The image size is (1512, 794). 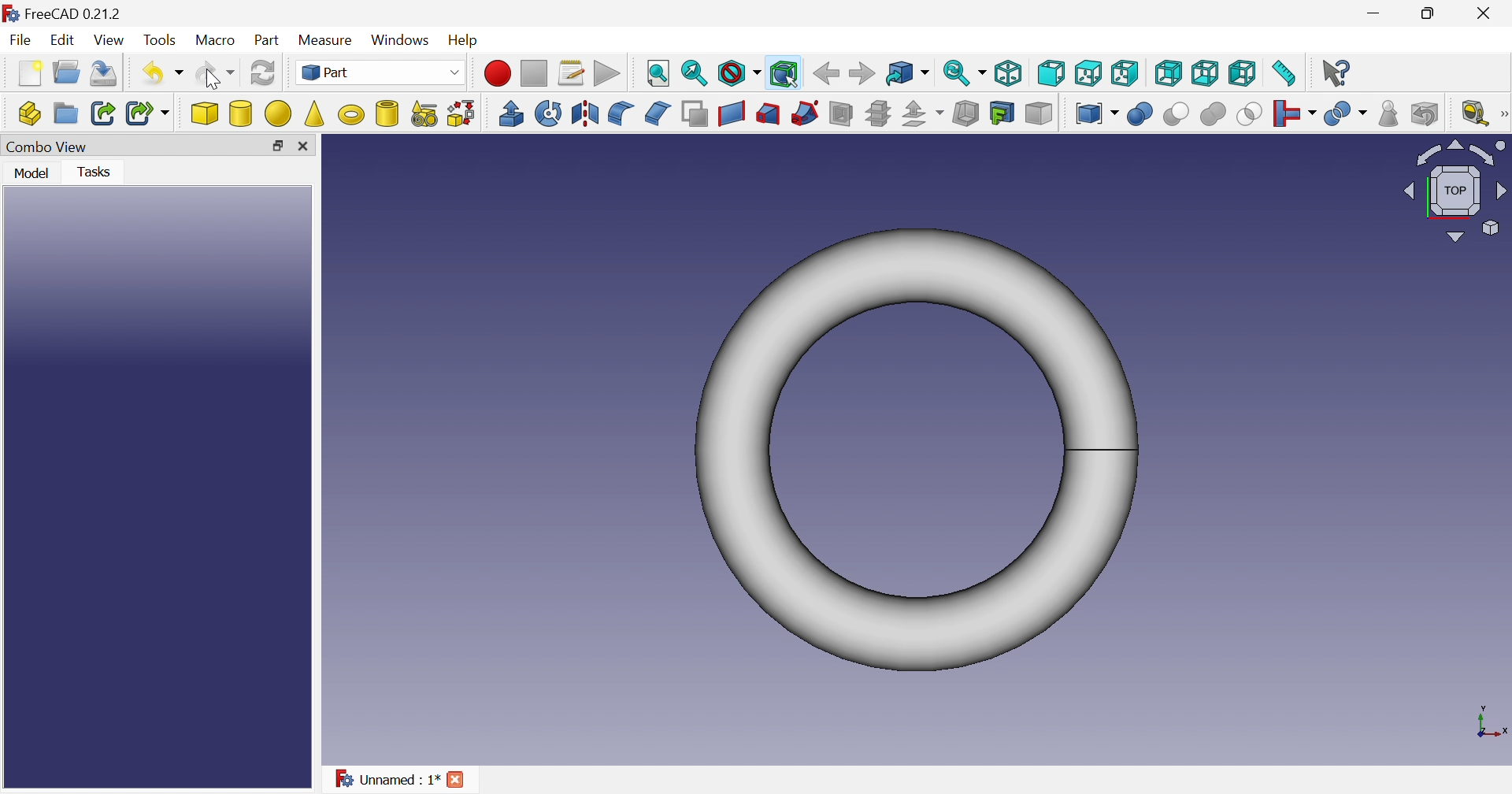 What do you see at coordinates (606, 73) in the screenshot?
I see `Execute macros` at bounding box center [606, 73].